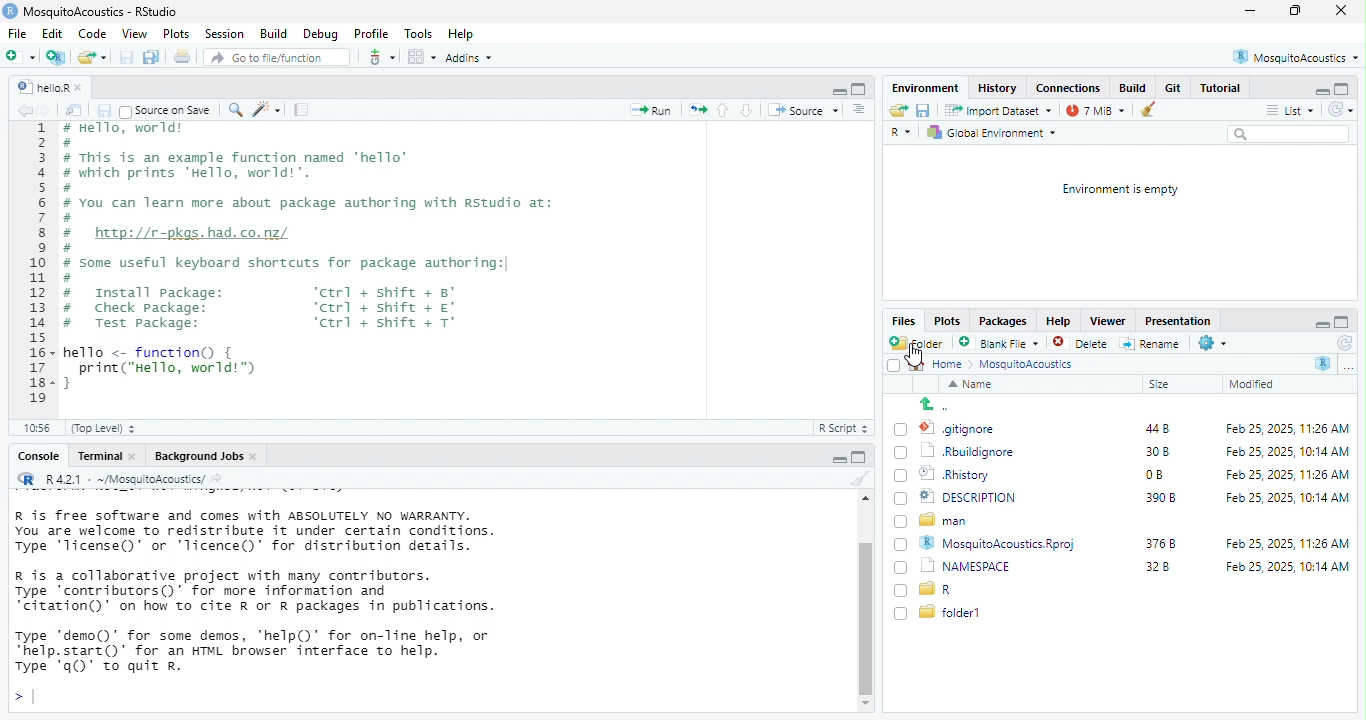  Describe the element at coordinates (900, 523) in the screenshot. I see `checkbox` at that location.